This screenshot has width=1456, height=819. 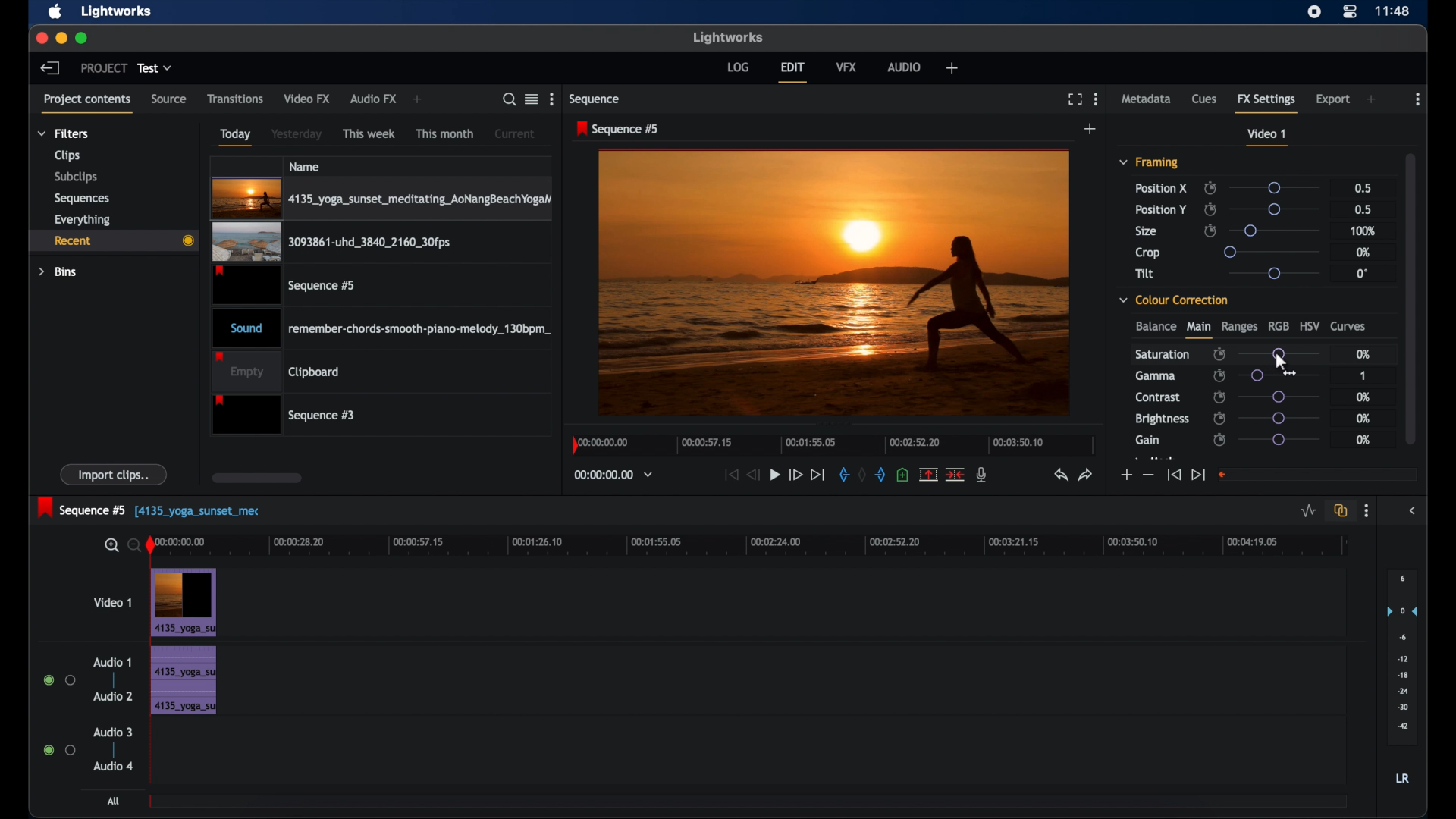 I want to click on slider, so click(x=1279, y=440).